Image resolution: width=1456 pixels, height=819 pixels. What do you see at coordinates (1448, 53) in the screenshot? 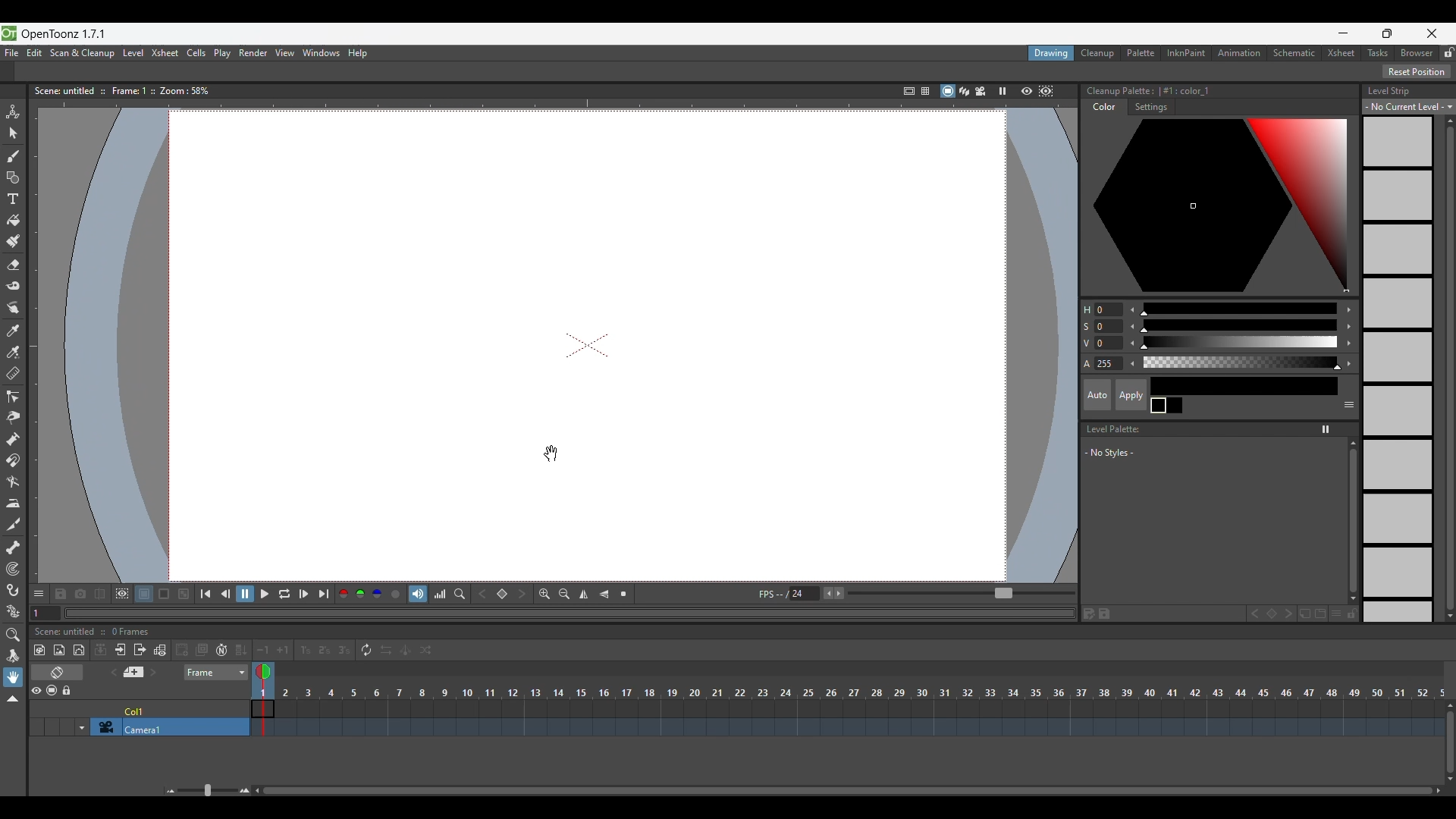
I see `Lock rooms tab` at bounding box center [1448, 53].